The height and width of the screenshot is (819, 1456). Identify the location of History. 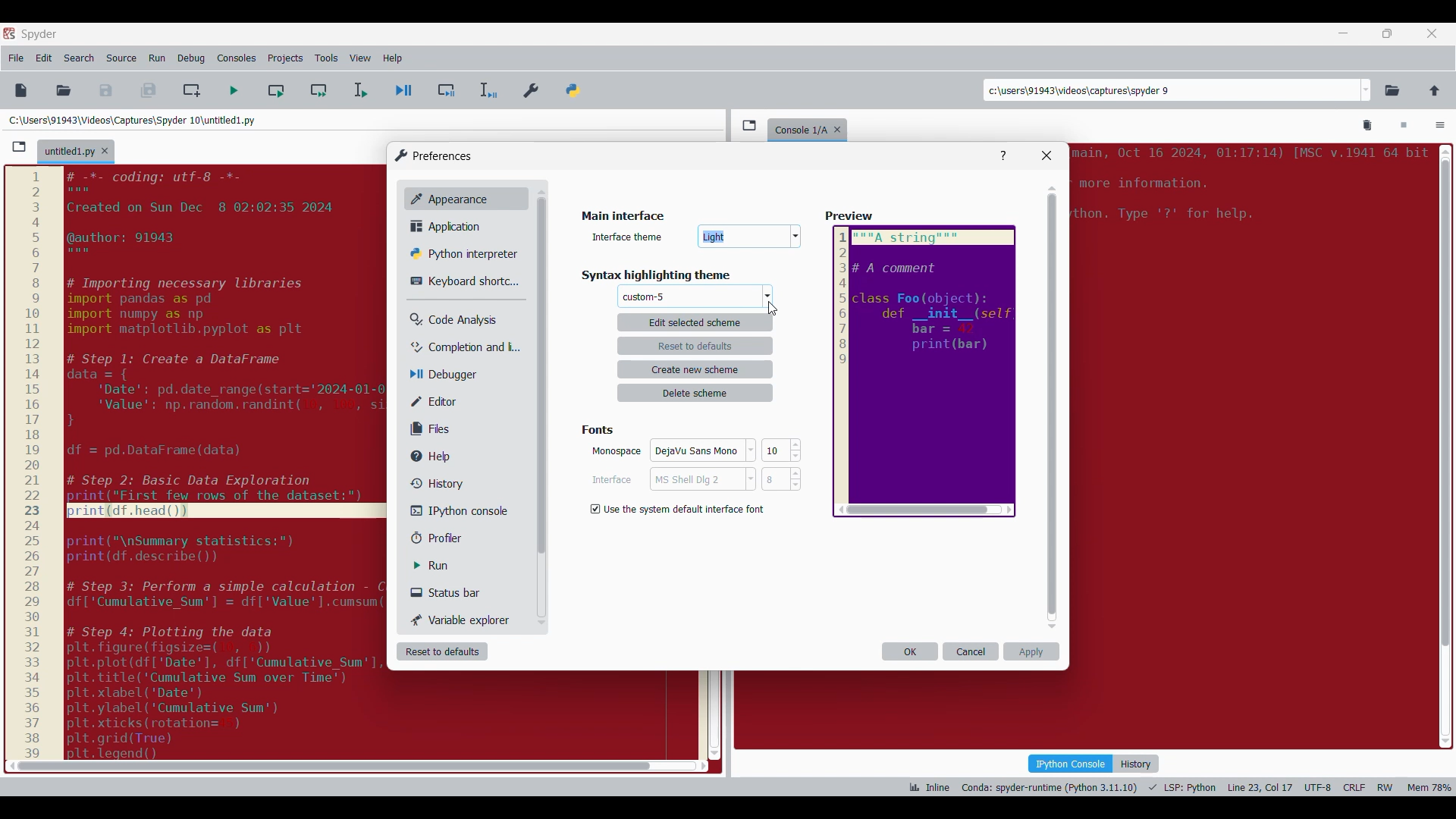
(434, 483).